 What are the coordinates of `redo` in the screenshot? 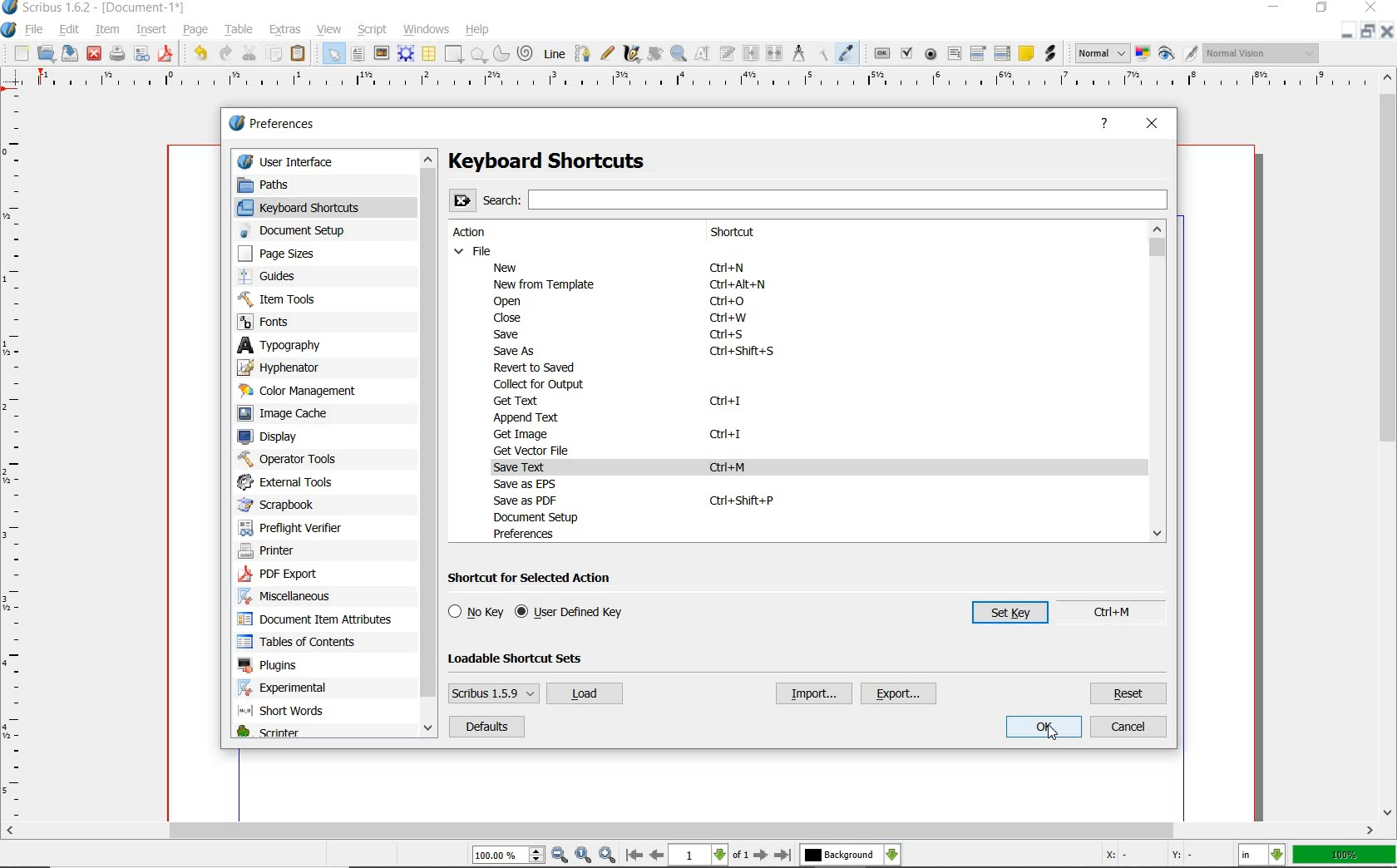 It's located at (225, 53).